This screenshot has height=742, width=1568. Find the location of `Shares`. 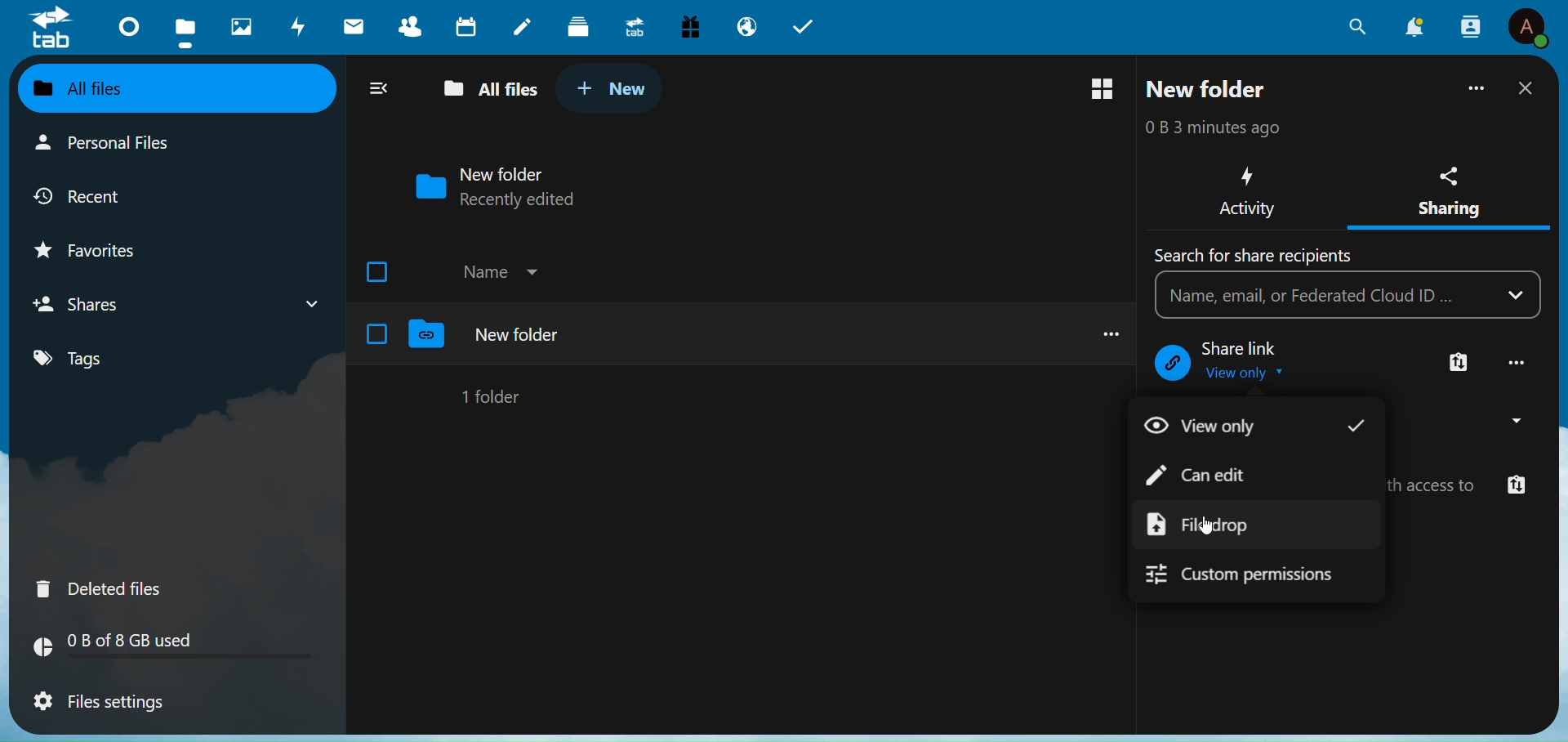

Shares is located at coordinates (87, 303).